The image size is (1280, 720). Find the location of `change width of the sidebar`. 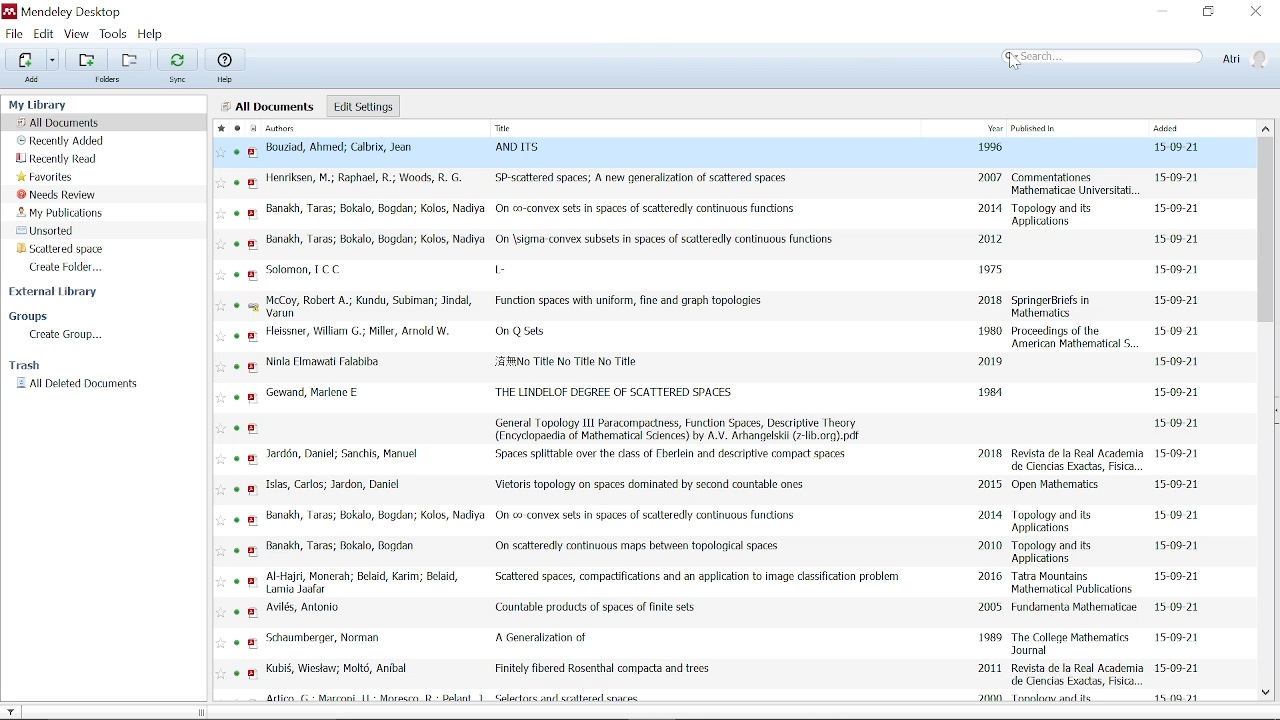

change width of the sidebar is located at coordinates (205, 712).